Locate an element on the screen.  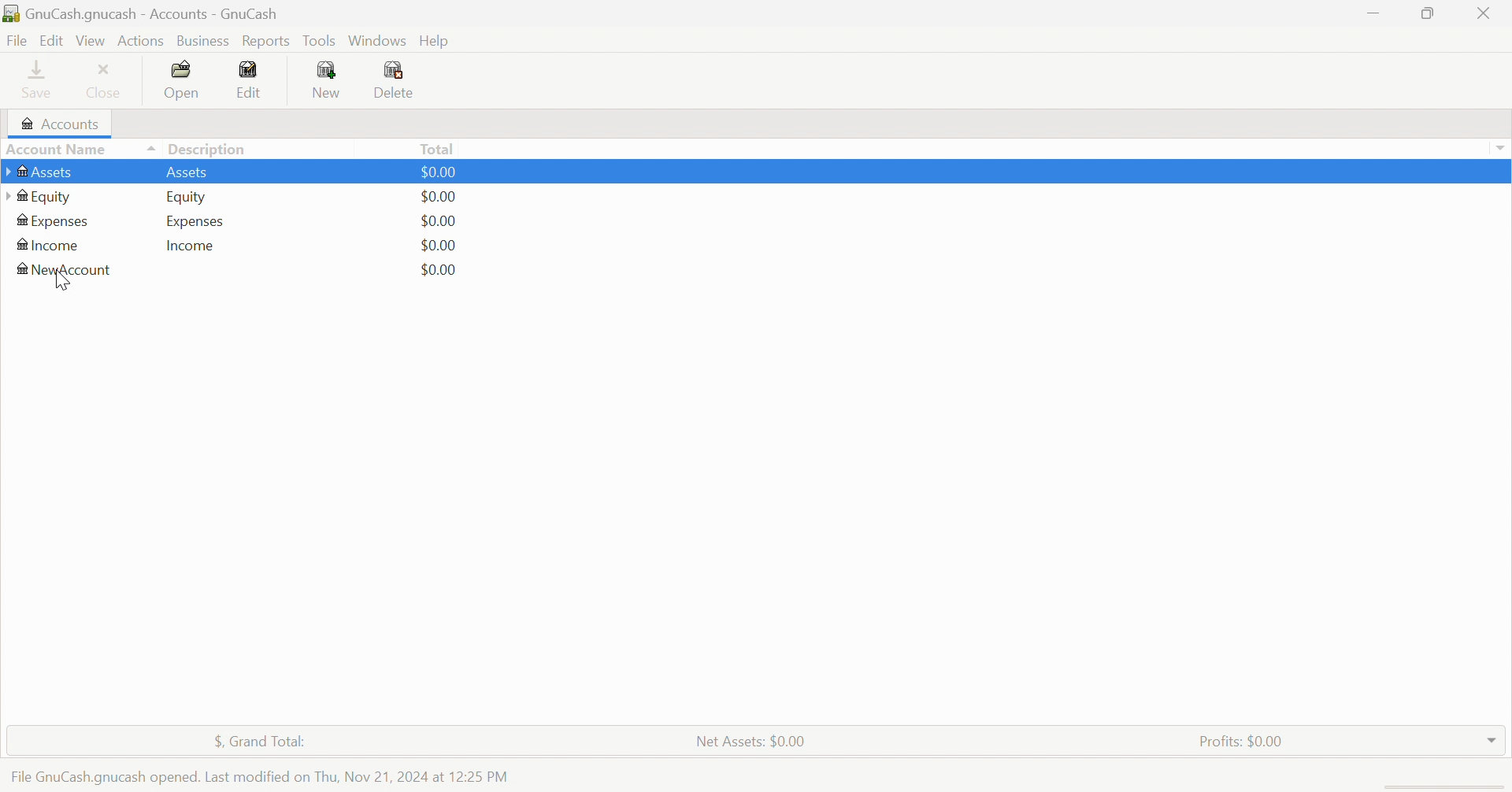
Profits: $0.00 is located at coordinates (1246, 741).